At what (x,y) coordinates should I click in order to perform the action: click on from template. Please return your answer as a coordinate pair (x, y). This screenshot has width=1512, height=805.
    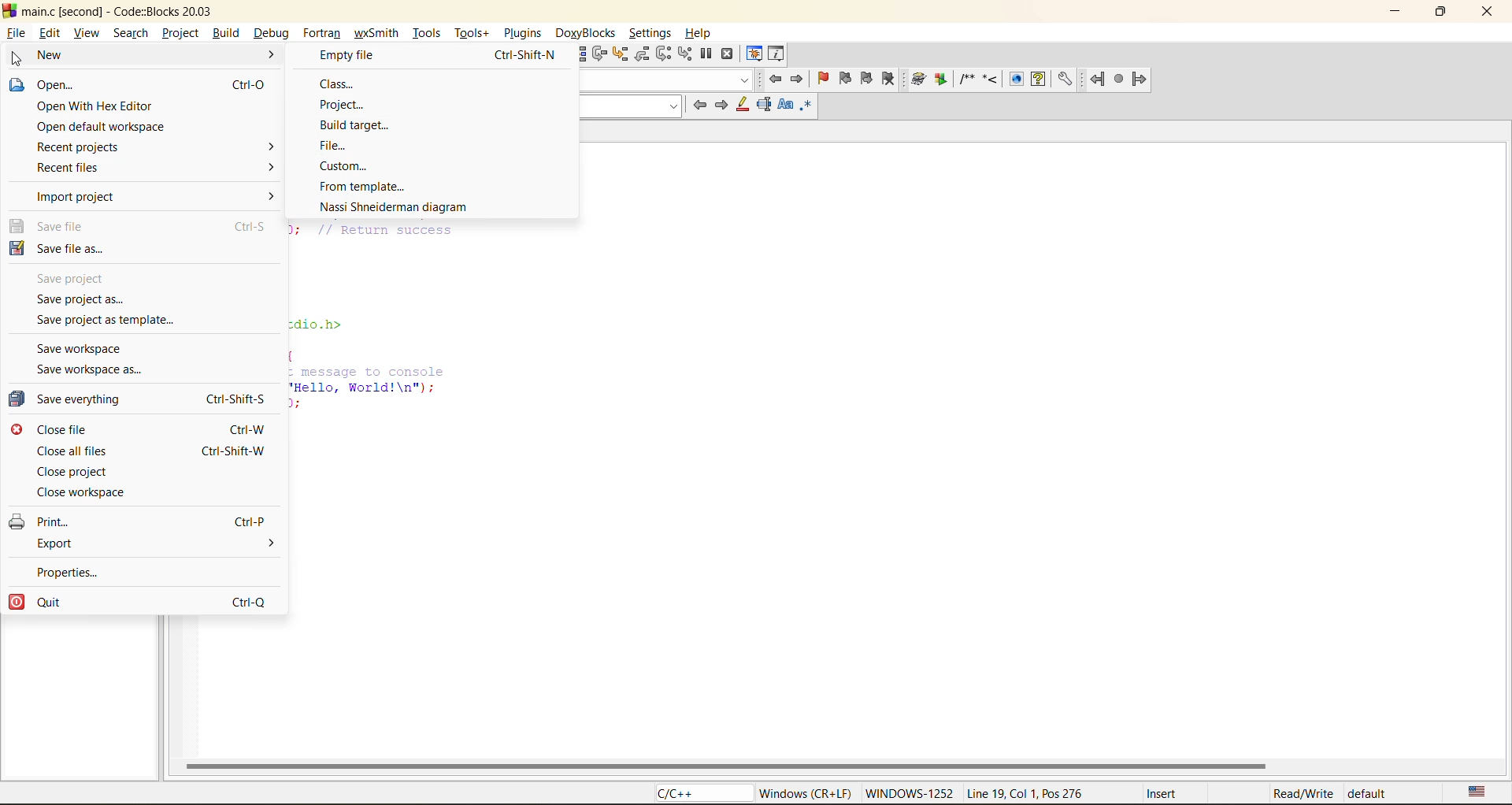
    Looking at the image, I should click on (367, 187).